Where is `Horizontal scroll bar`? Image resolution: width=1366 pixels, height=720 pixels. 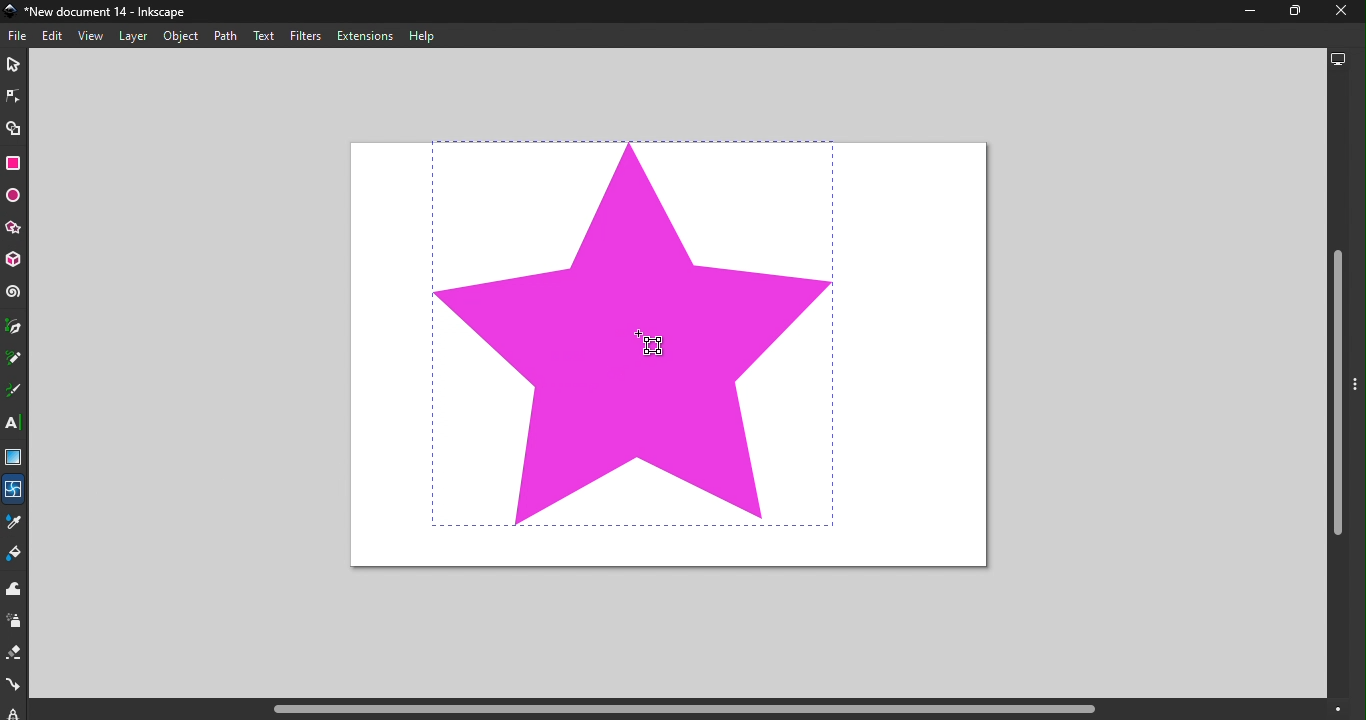
Horizontal scroll bar is located at coordinates (705, 709).